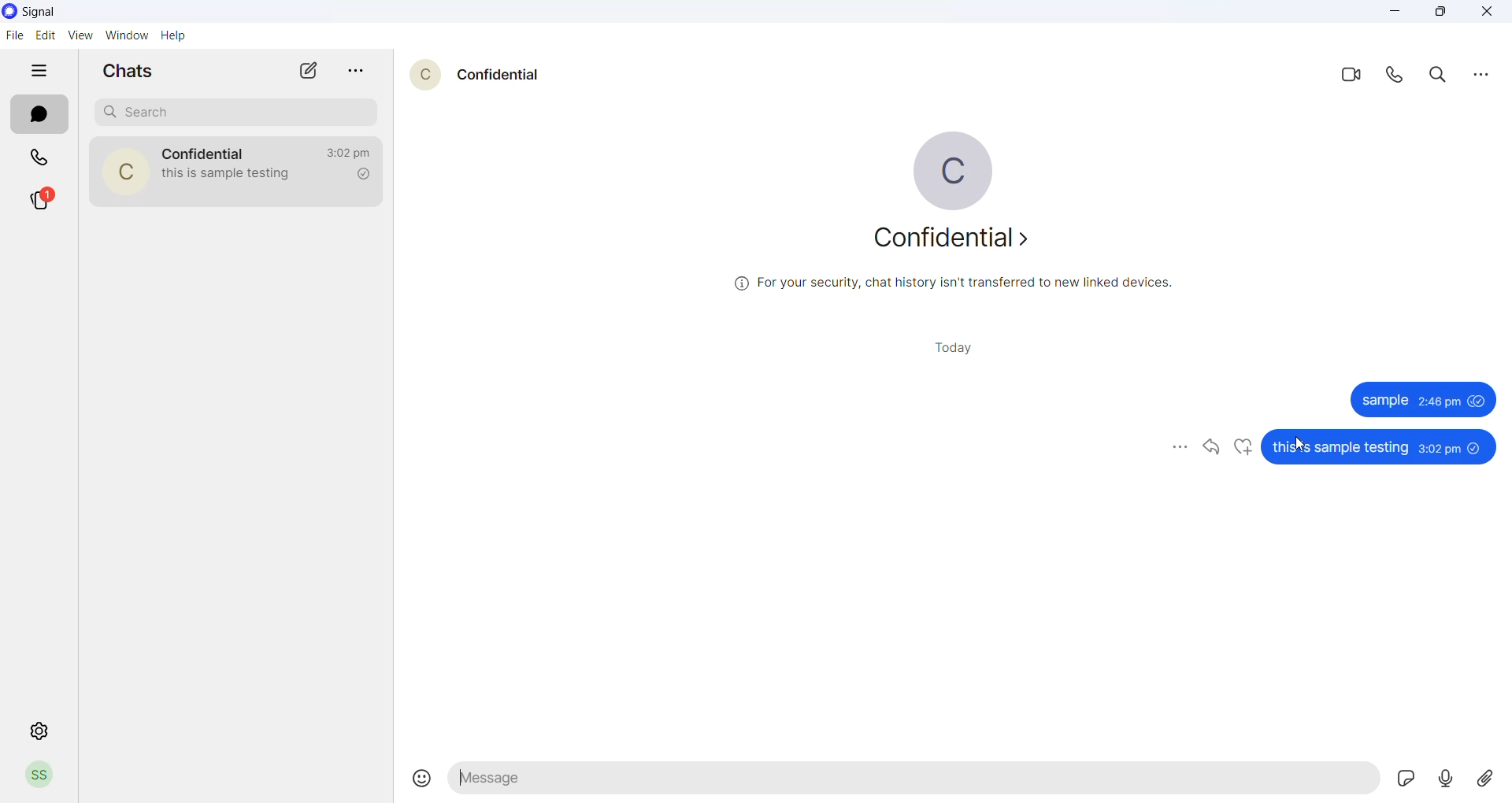 This screenshot has width=1512, height=803. I want to click on voice note, so click(1444, 779).